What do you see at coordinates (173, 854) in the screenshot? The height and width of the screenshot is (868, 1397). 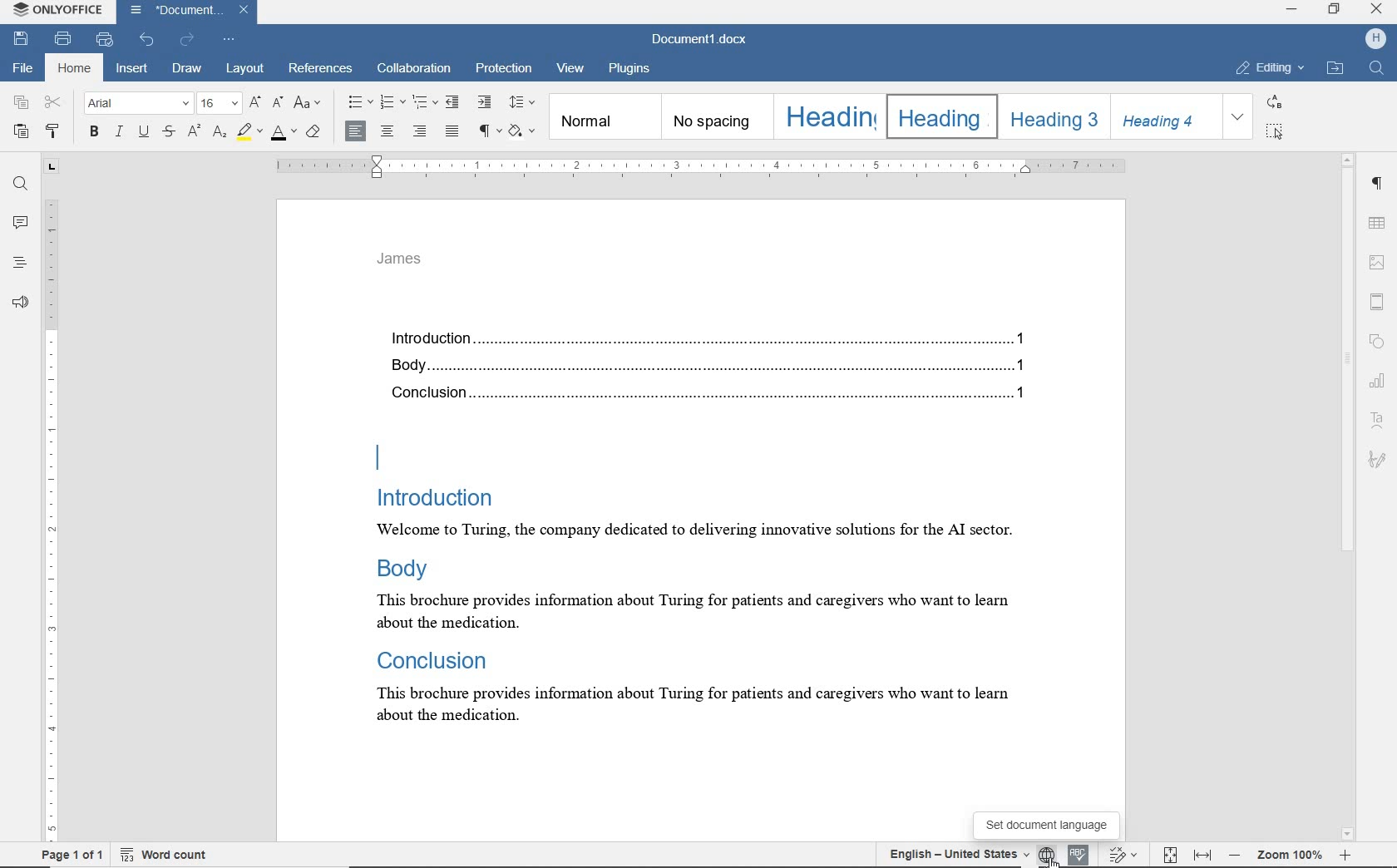 I see `word count` at bounding box center [173, 854].